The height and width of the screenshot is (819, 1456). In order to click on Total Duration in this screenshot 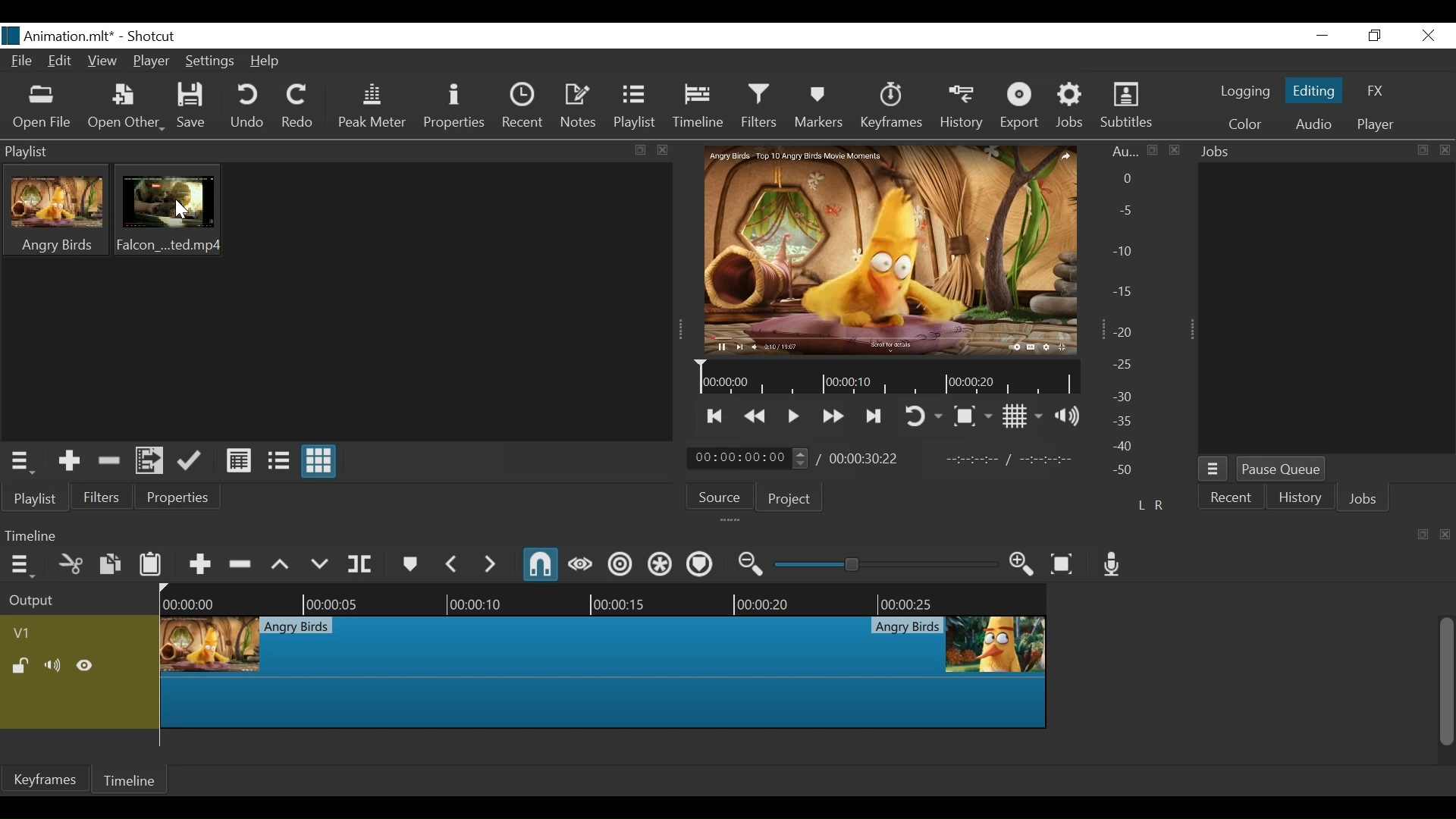, I will do `click(866, 459)`.